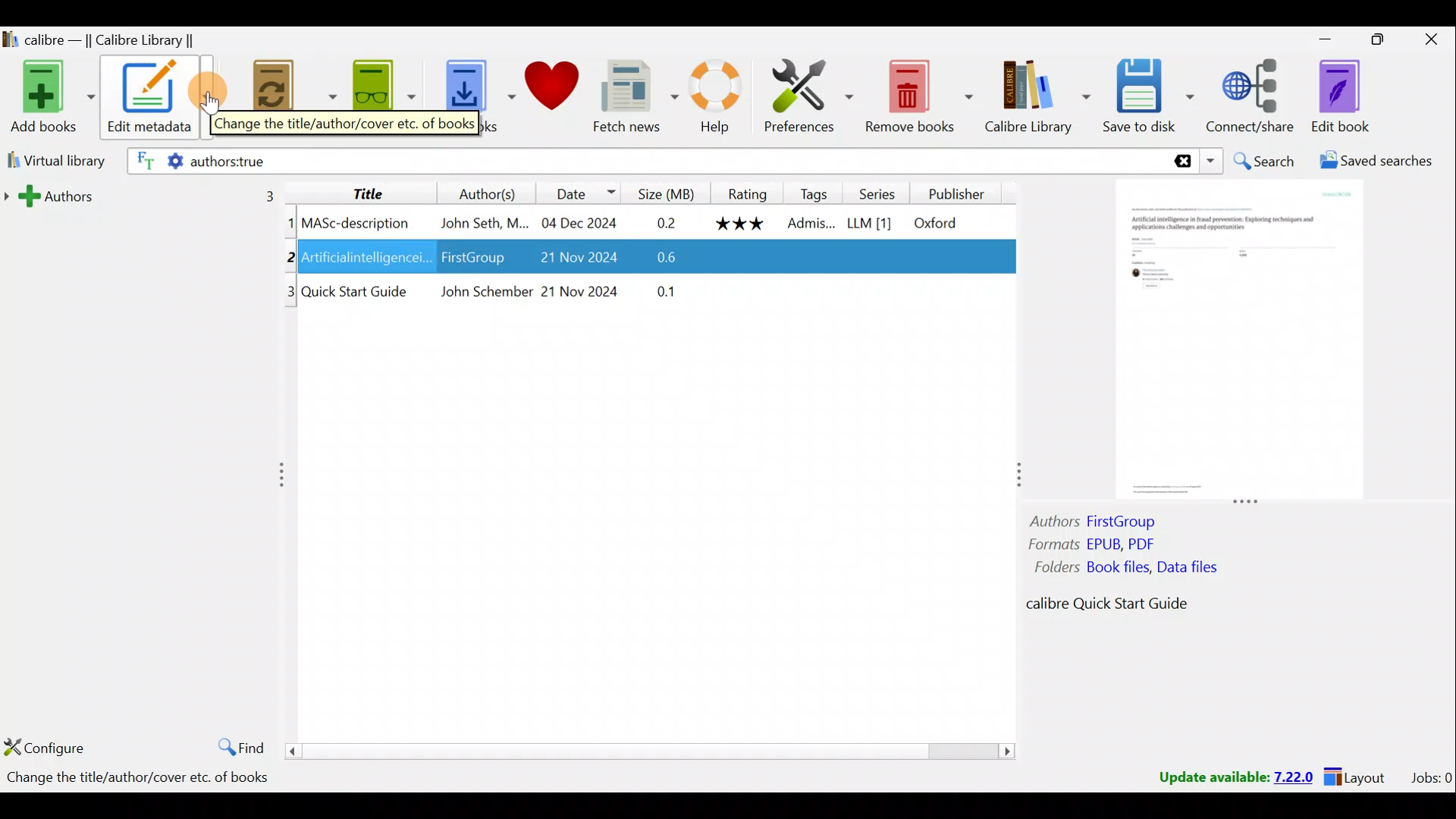 Image resolution: width=1456 pixels, height=819 pixels. I want to click on Help, so click(706, 99).